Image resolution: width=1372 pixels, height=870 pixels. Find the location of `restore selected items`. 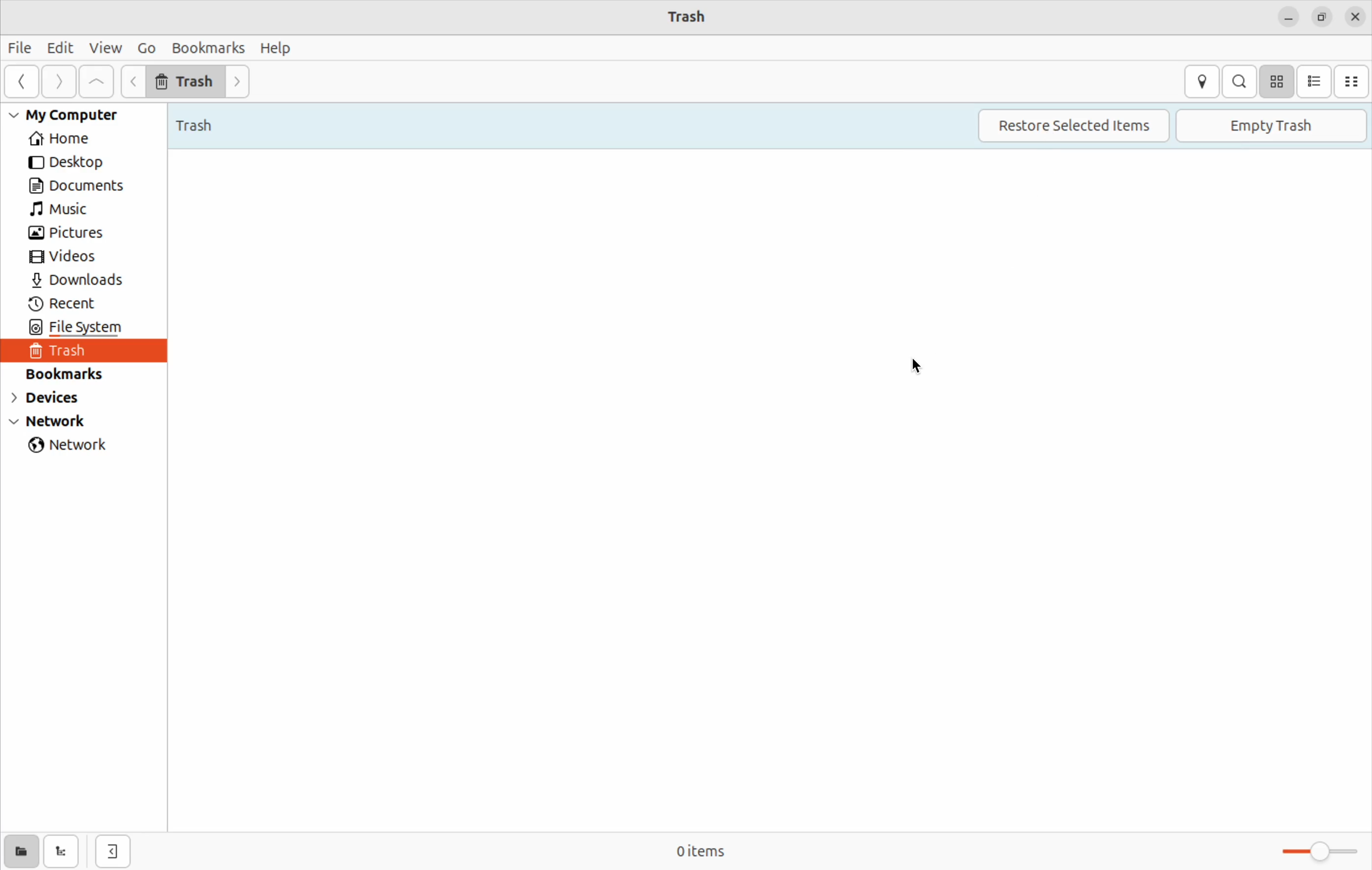

restore selected items is located at coordinates (1072, 126).